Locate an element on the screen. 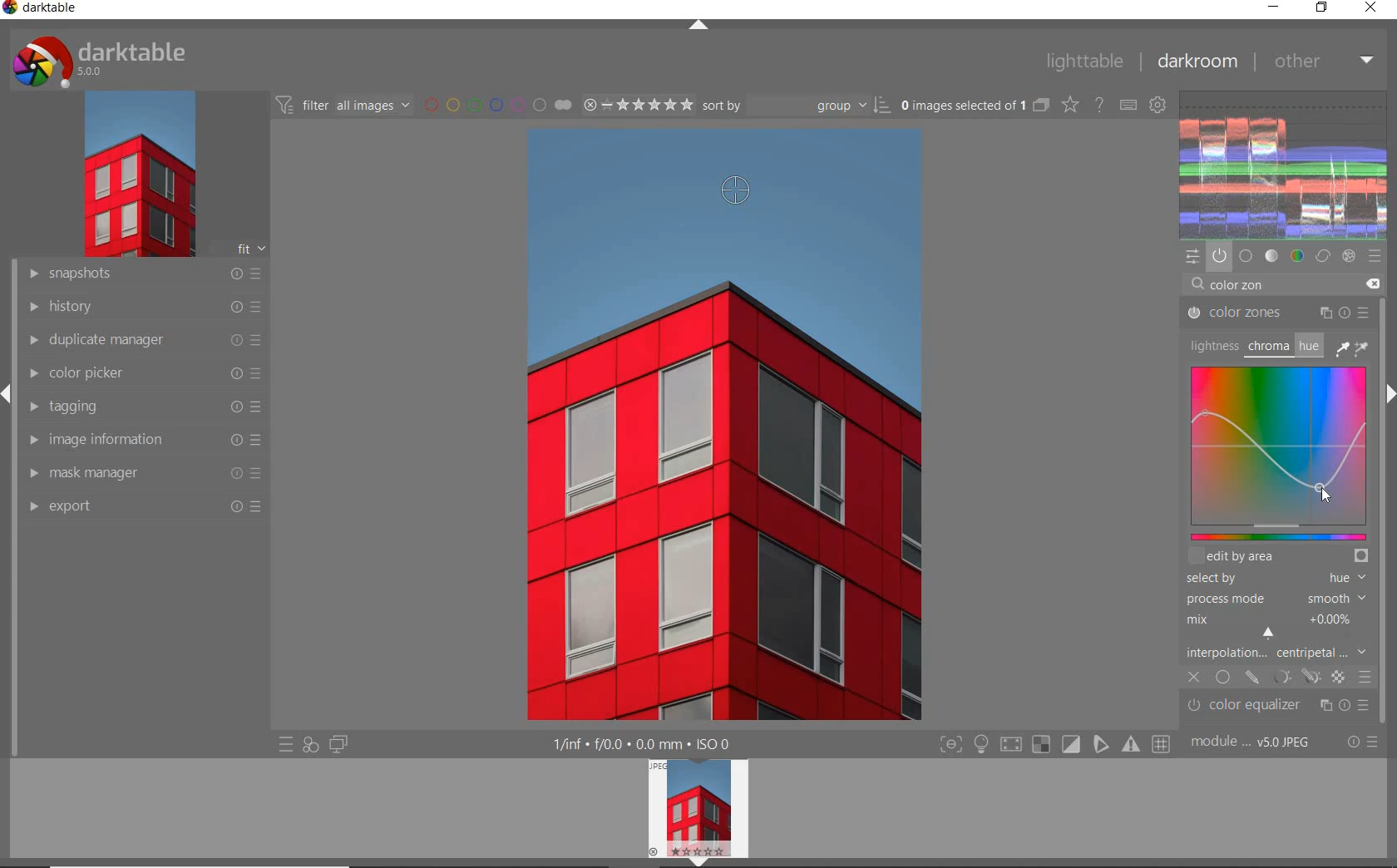 The height and width of the screenshot is (868, 1397). lighttable is located at coordinates (1083, 62).